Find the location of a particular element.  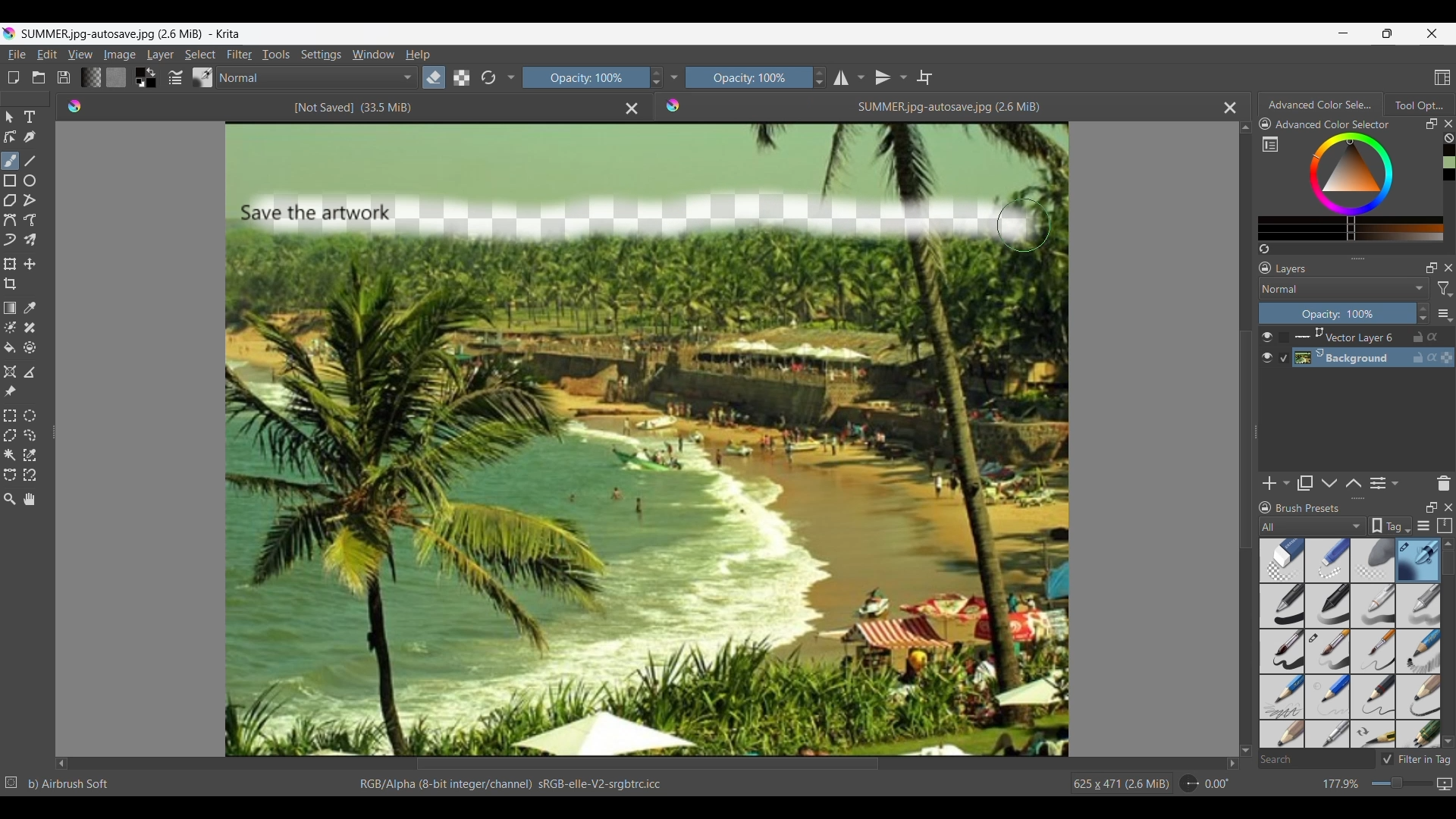

Close is located at coordinates (632, 109).